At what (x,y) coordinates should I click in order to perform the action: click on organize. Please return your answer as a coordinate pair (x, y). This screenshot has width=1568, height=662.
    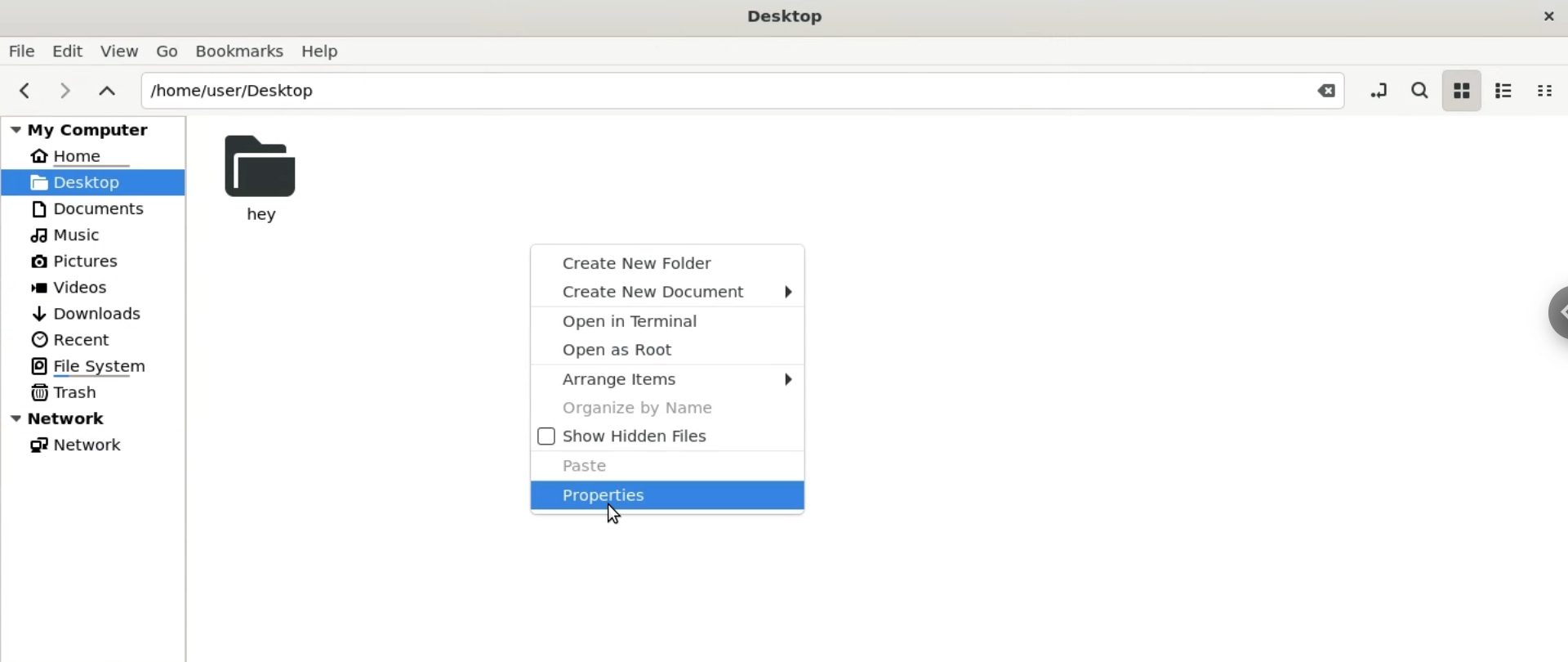
    Looking at the image, I should click on (667, 409).